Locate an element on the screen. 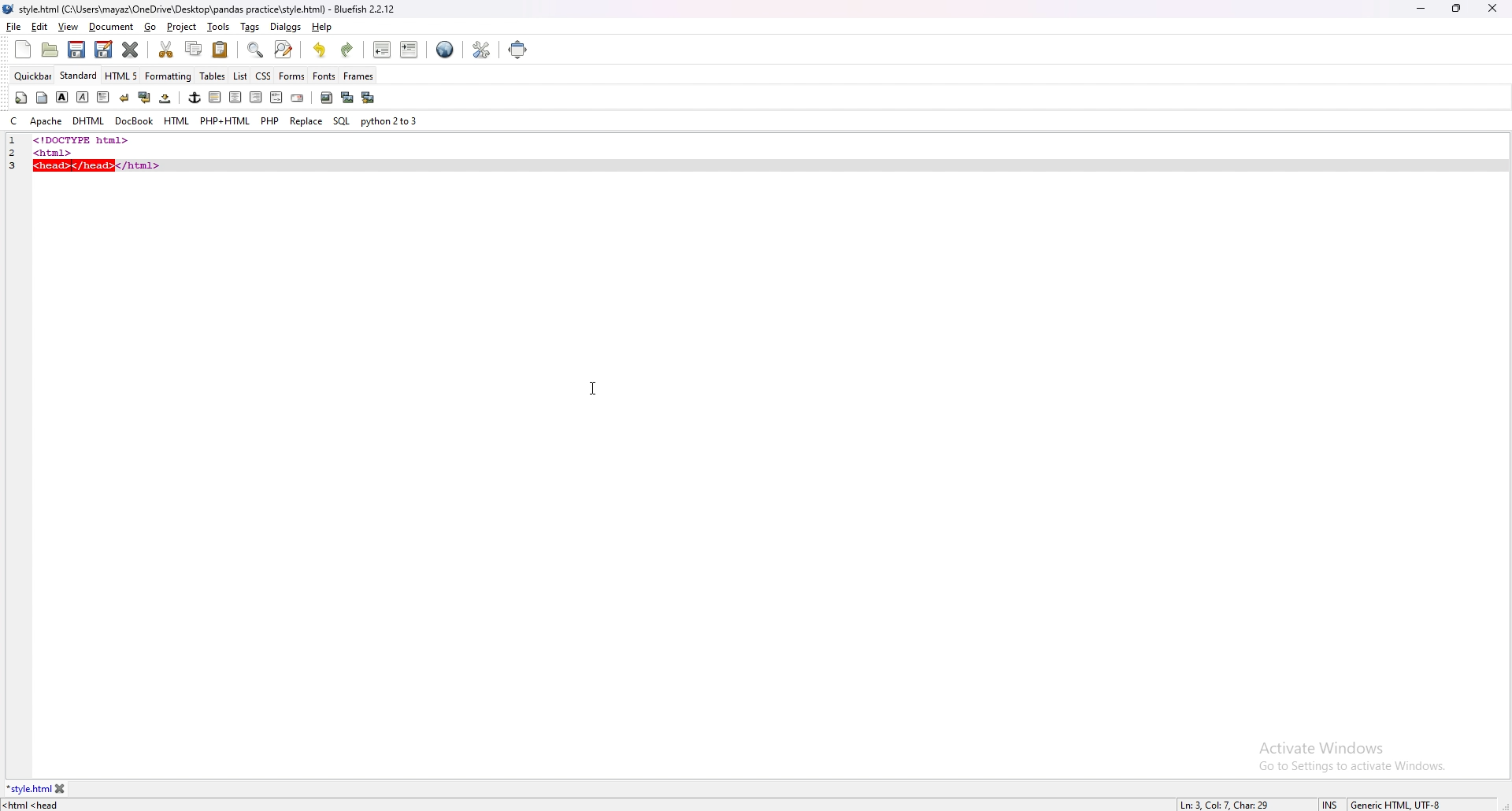 This screenshot has height=811, width=1512. break is located at coordinates (124, 97).